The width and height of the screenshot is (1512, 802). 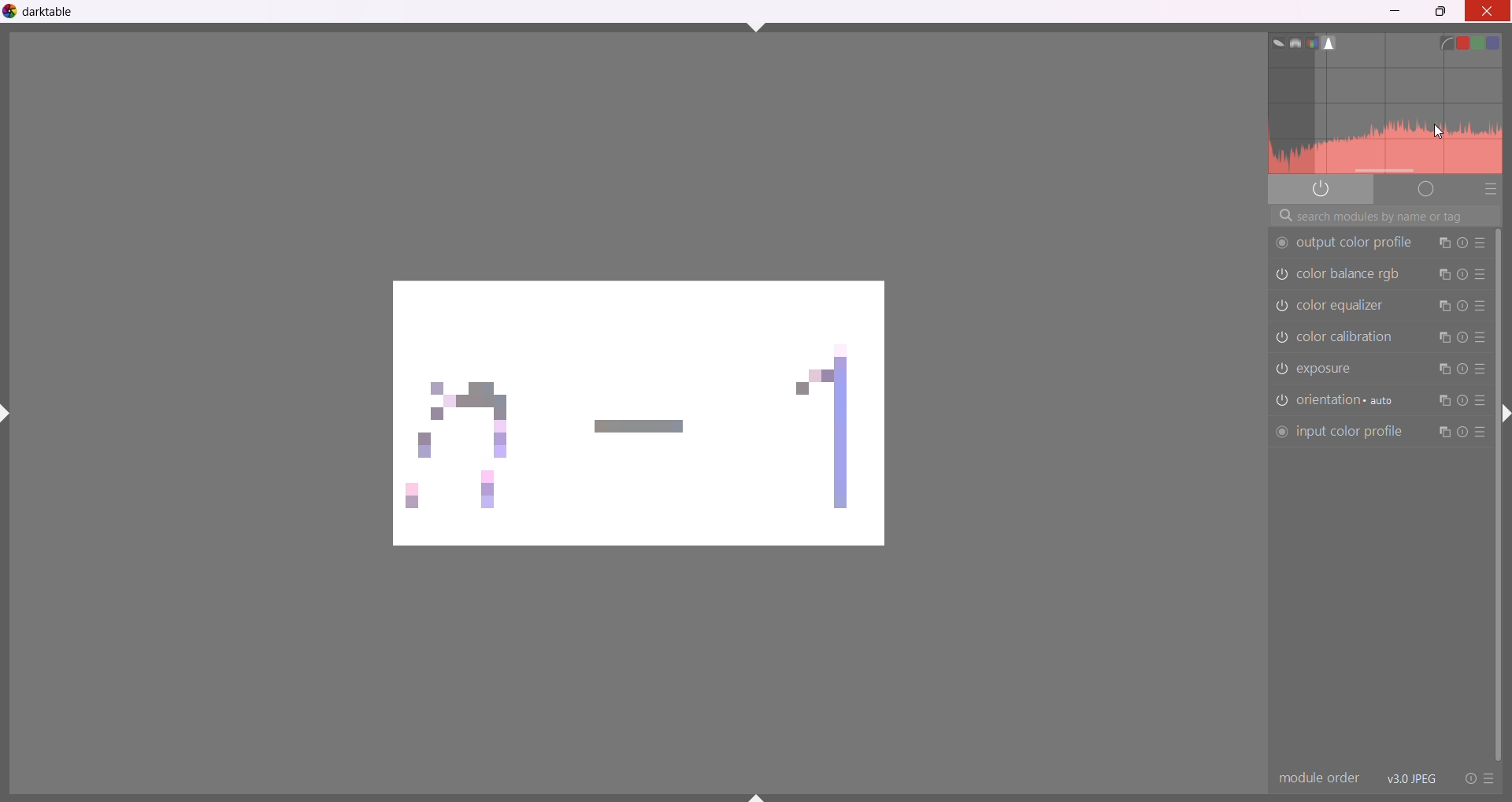 I want to click on presets, so click(x=1491, y=190).